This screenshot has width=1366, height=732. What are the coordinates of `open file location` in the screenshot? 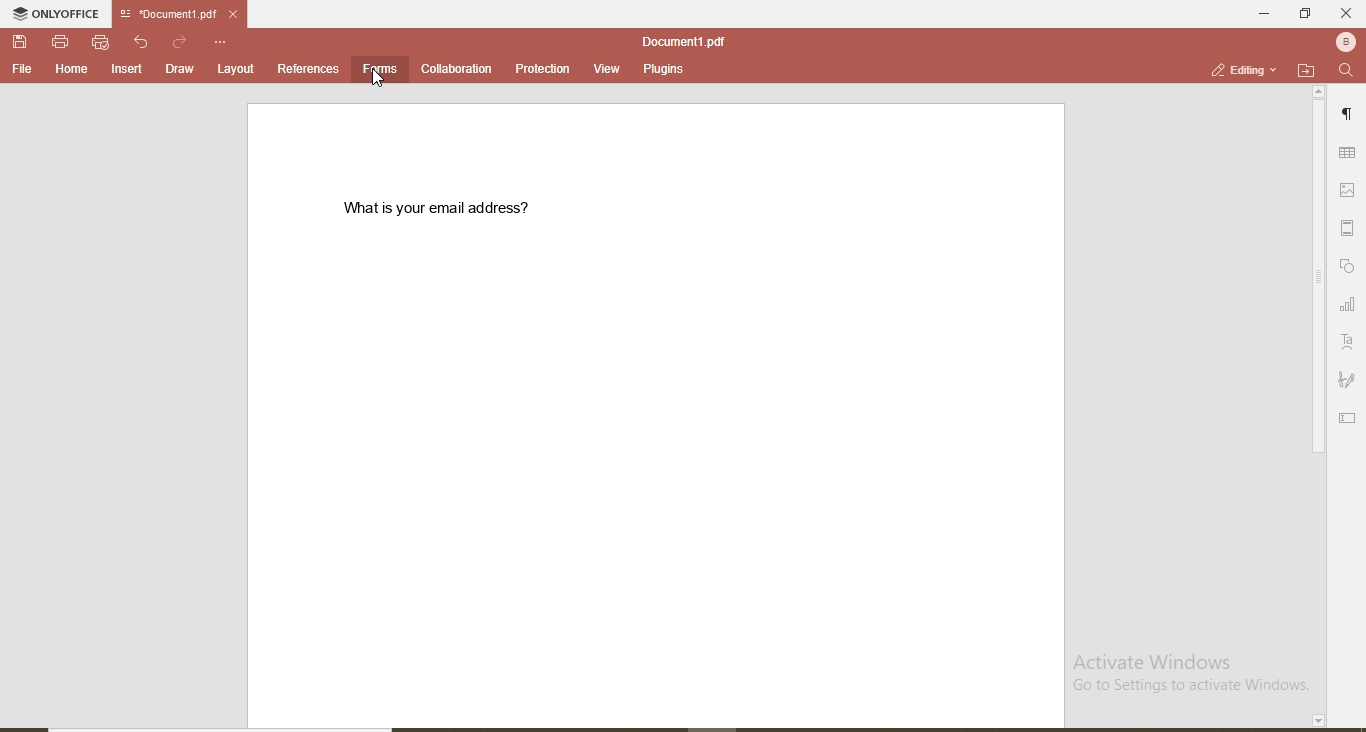 It's located at (1306, 70).